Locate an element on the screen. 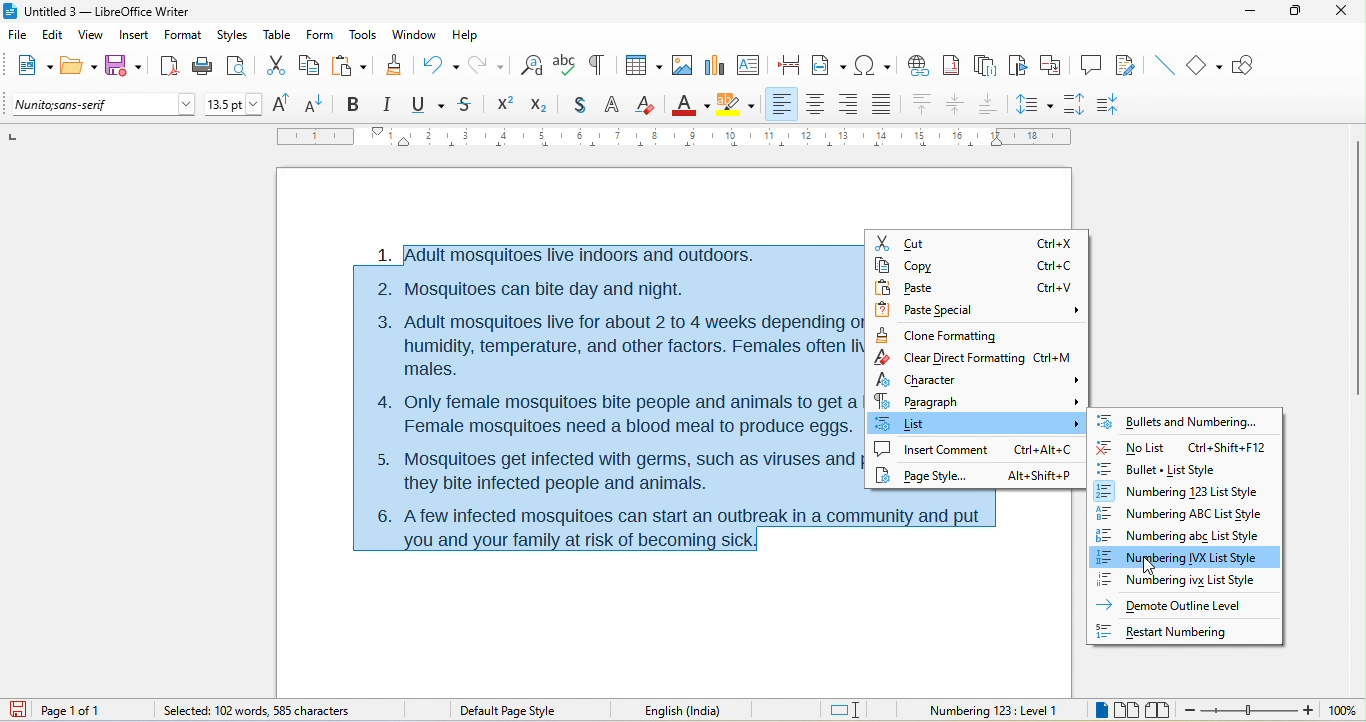 This screenshot has width=1366, height=722. show track changes function is located at coordinates (1127, 64).